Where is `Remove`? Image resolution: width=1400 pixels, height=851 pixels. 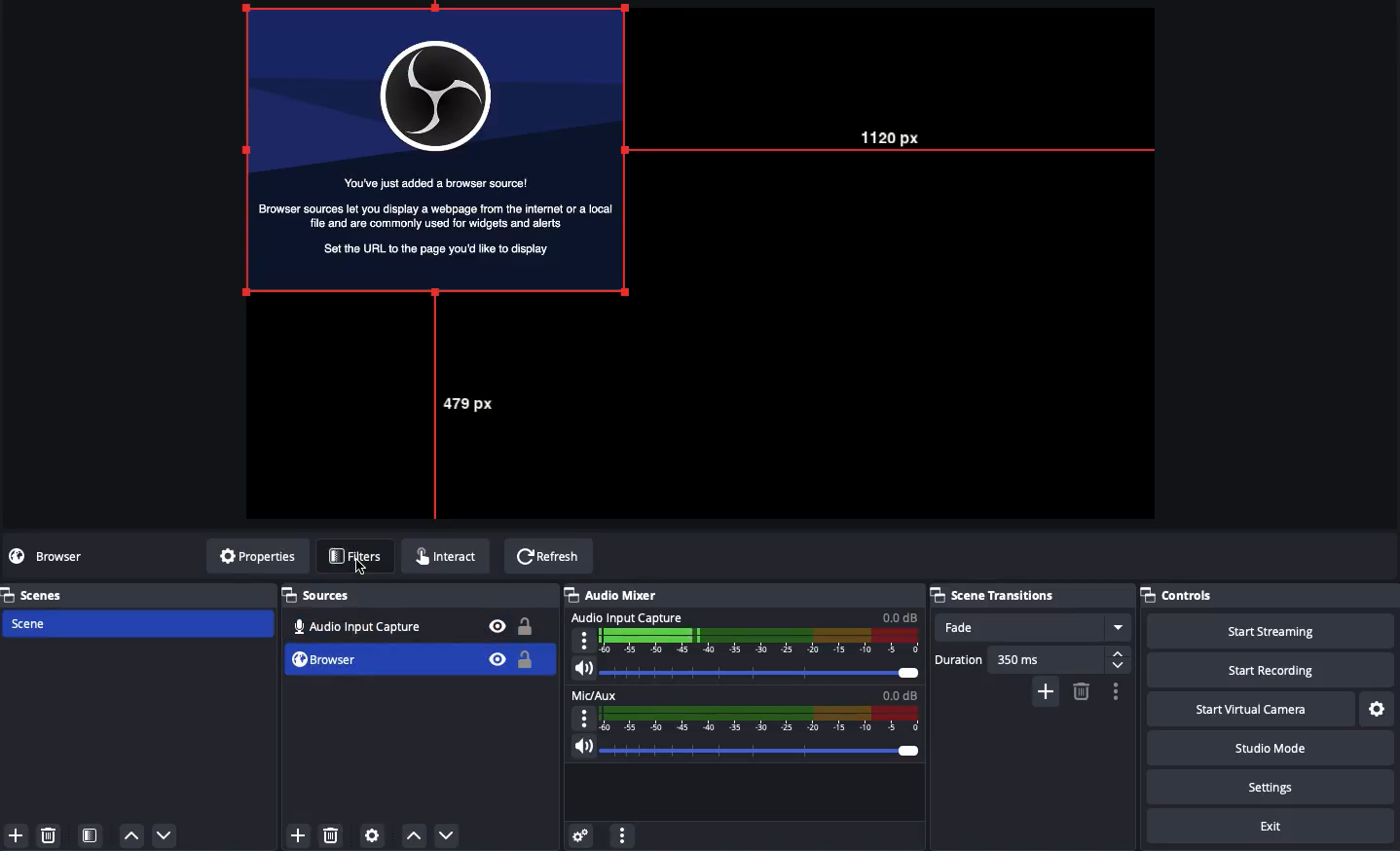
Remove is located at coordinates (1081, 690).